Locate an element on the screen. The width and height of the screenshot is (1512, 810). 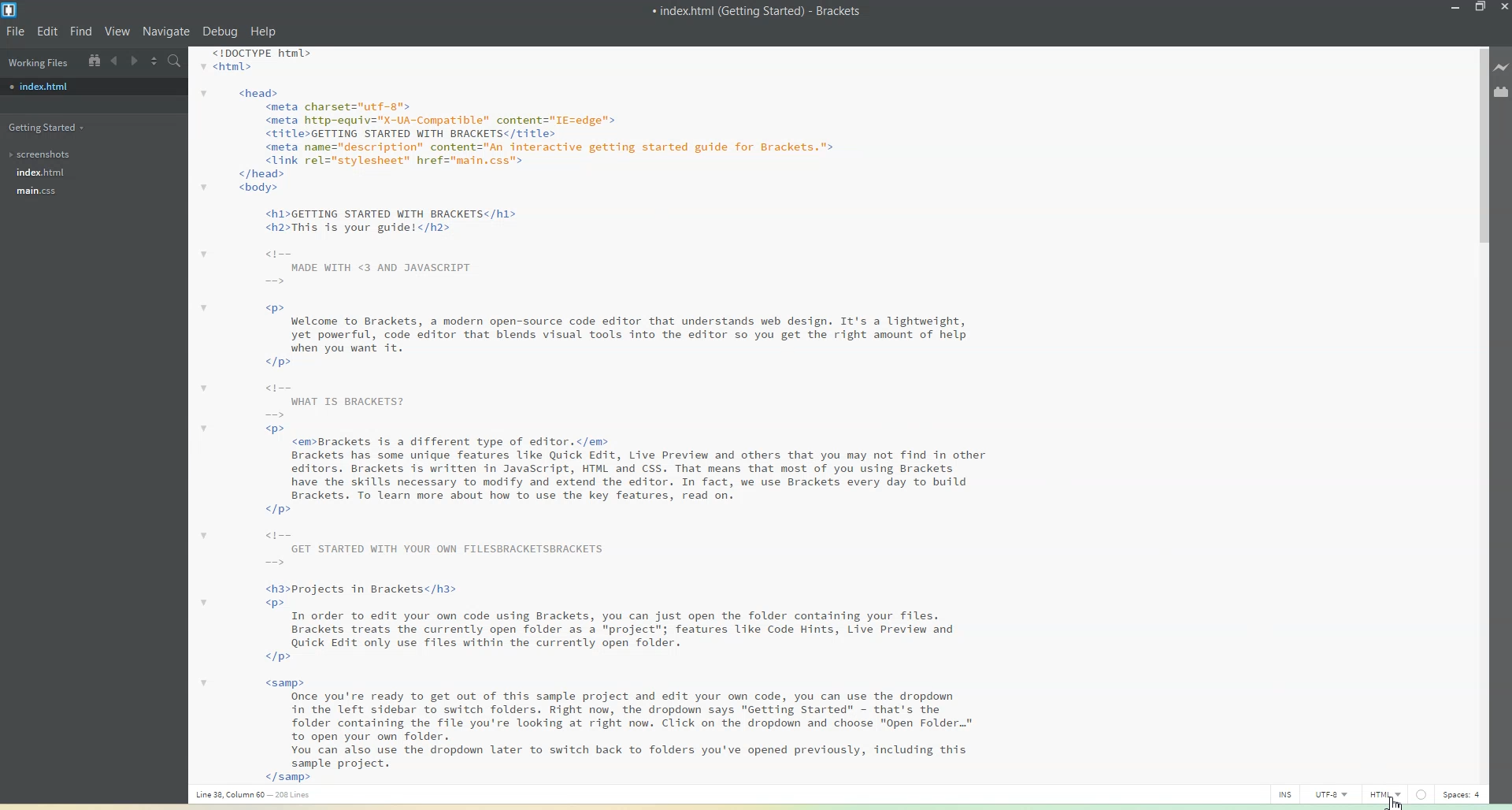
Navigate is located at coordinates (169, 32).